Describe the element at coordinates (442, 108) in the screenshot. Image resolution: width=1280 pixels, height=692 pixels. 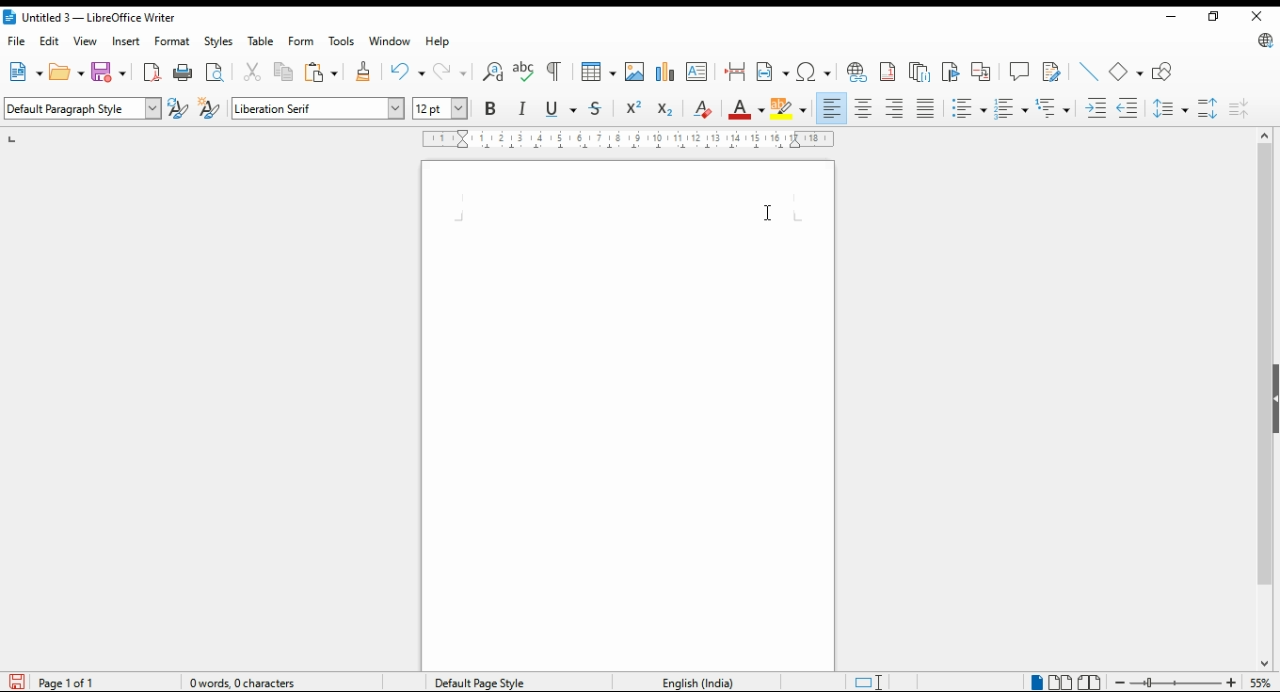
I see `font size` at that location.